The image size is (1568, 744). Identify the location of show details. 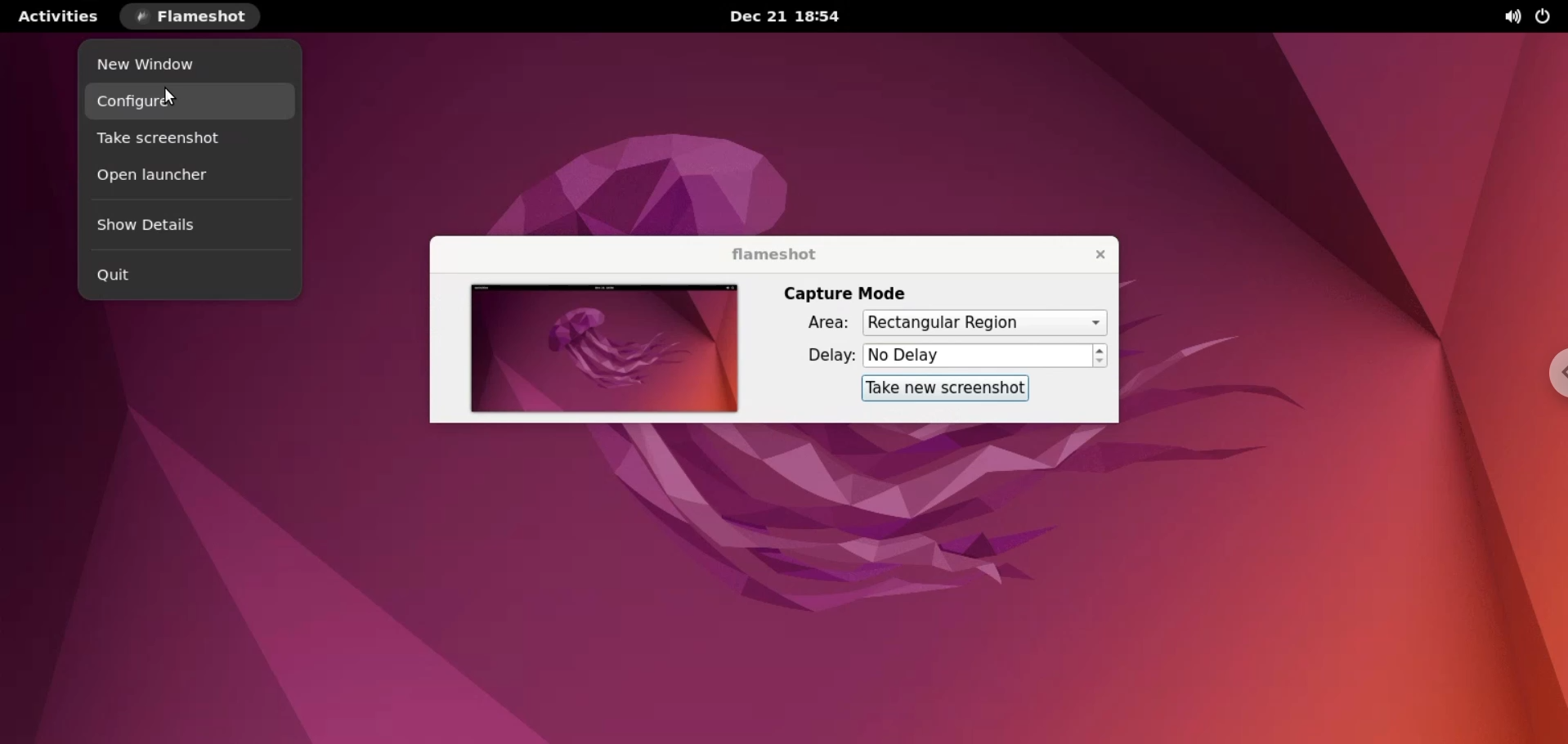
(179, 218).